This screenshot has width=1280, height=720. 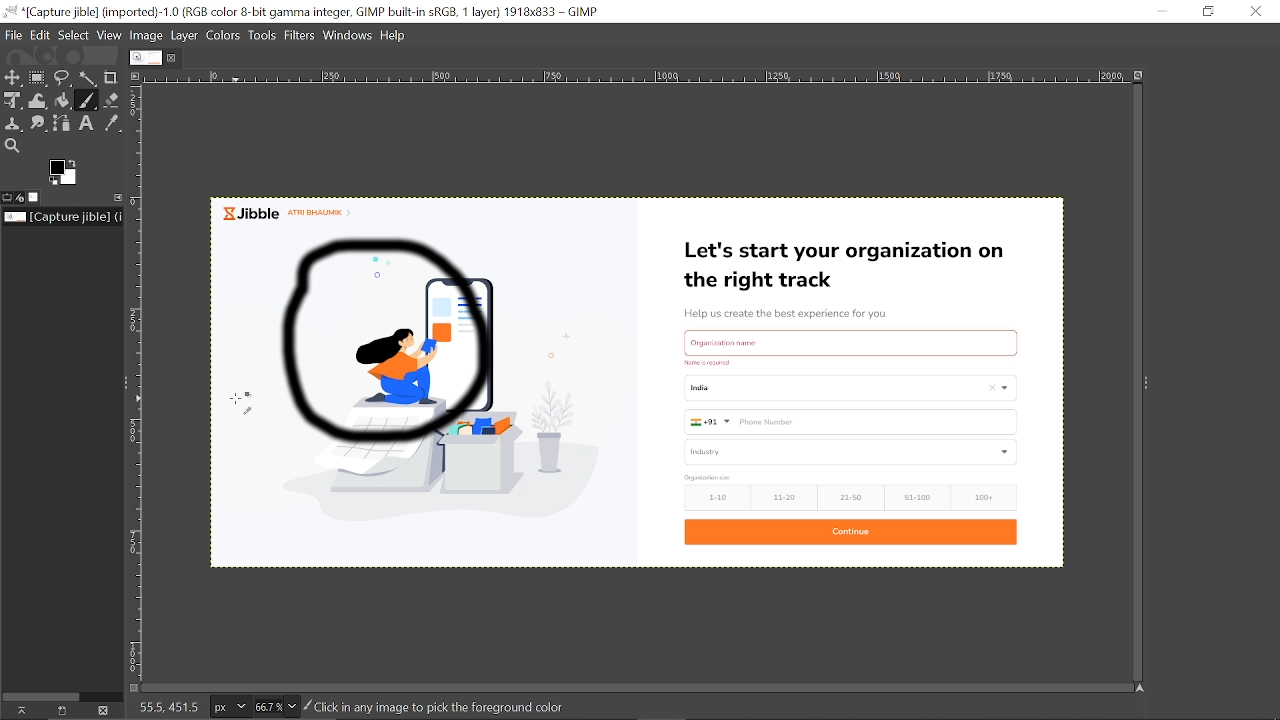 What do you see at coordinates (639, 78) in the screenshot?
I see `Scale` at bounding box center [639, 78].